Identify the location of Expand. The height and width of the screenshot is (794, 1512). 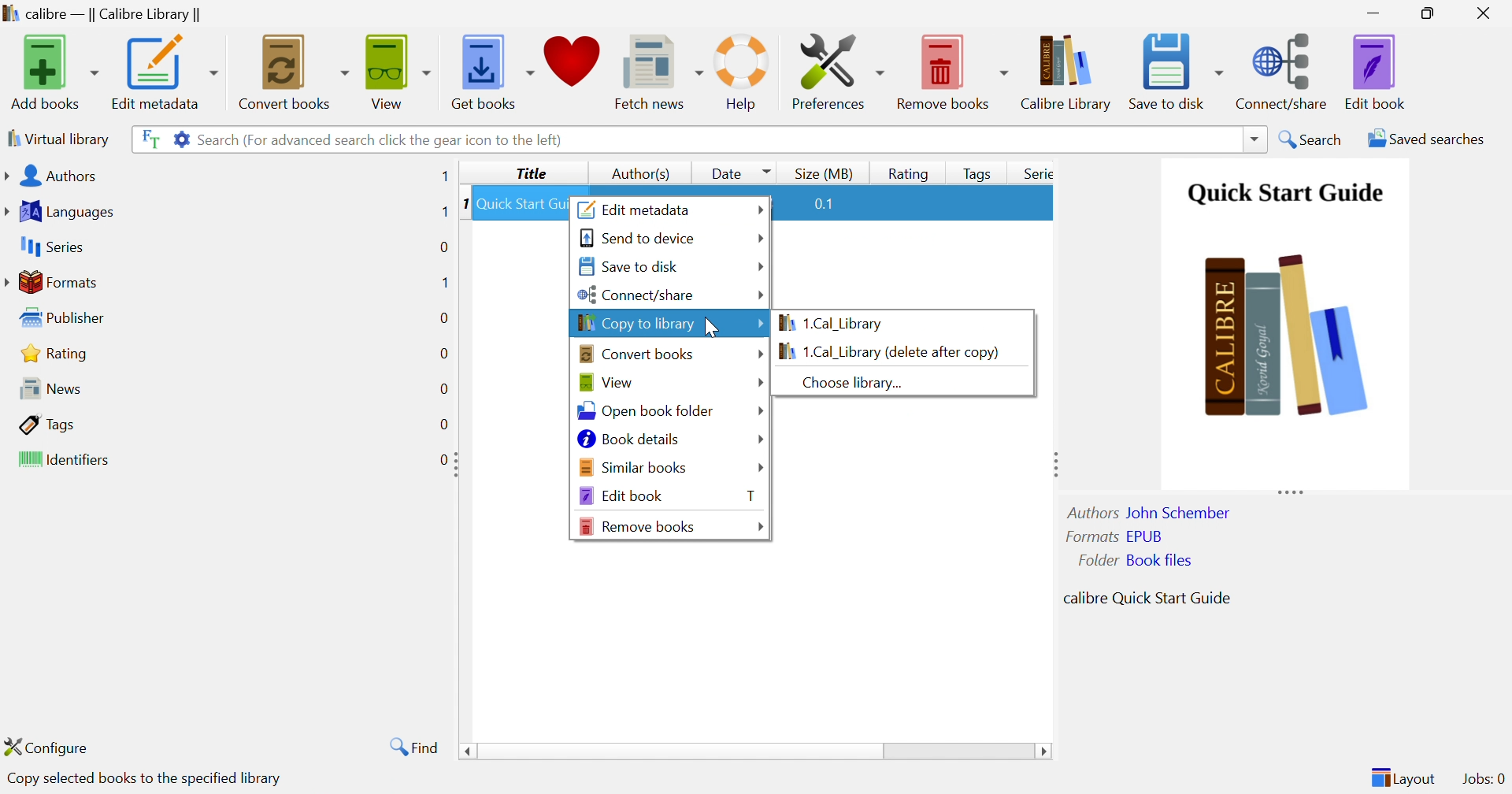
(457, 463).